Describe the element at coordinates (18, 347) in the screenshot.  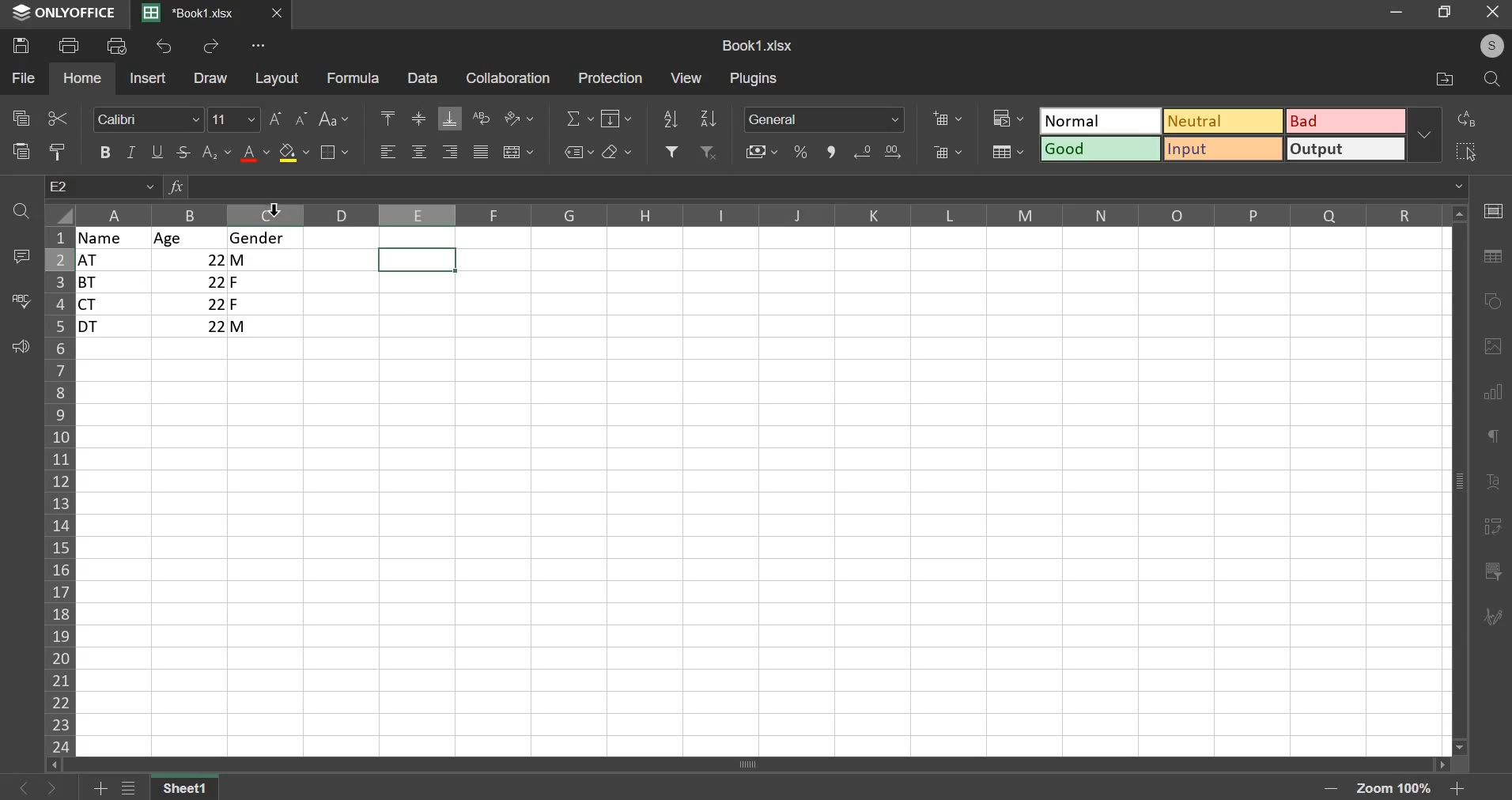
I see `feedback` at that location.